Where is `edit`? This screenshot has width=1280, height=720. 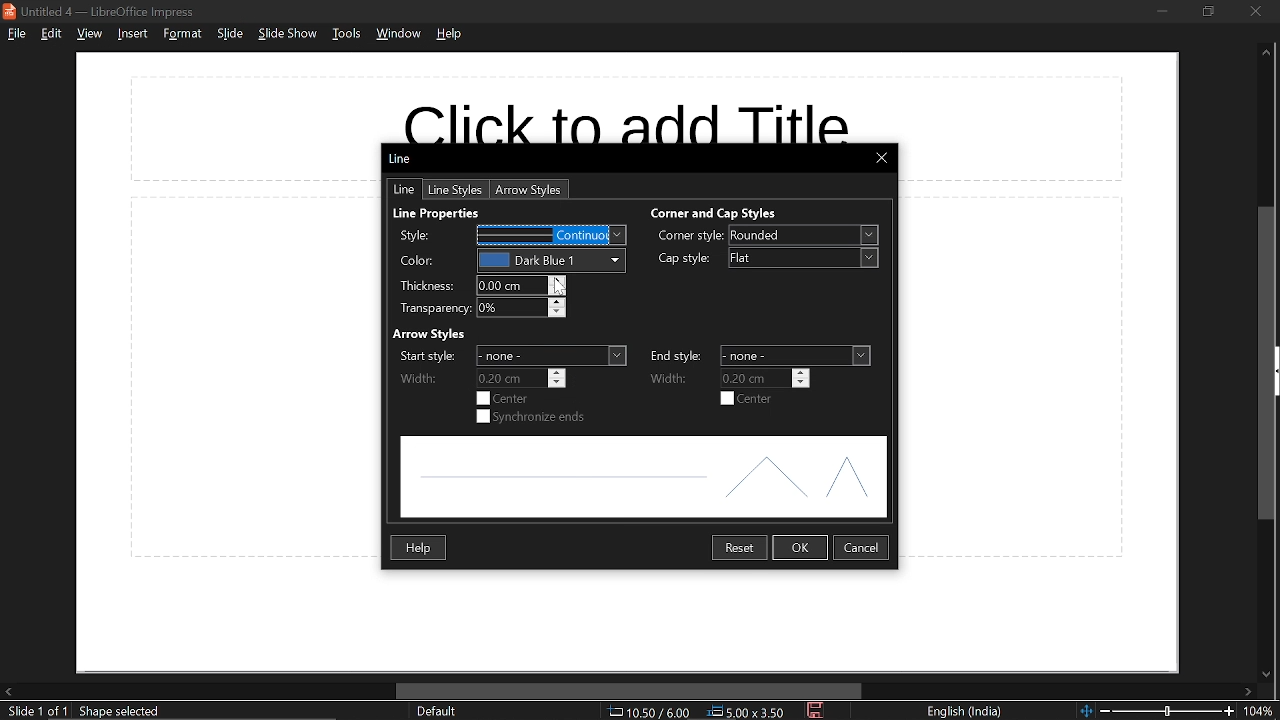 edit is located at coordinates (54, 35).